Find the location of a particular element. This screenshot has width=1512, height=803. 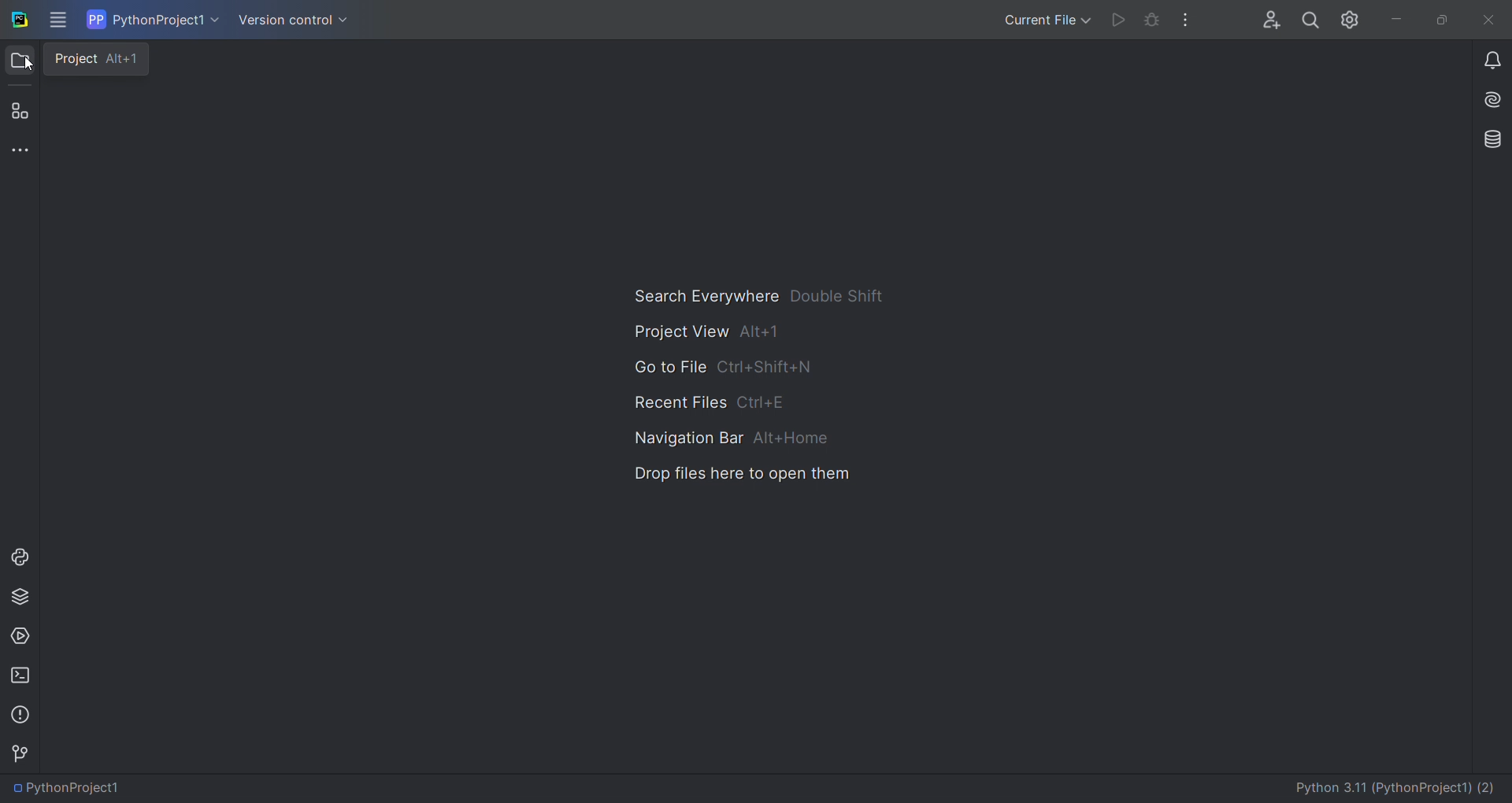

problems is located at coordinates (19, 714).